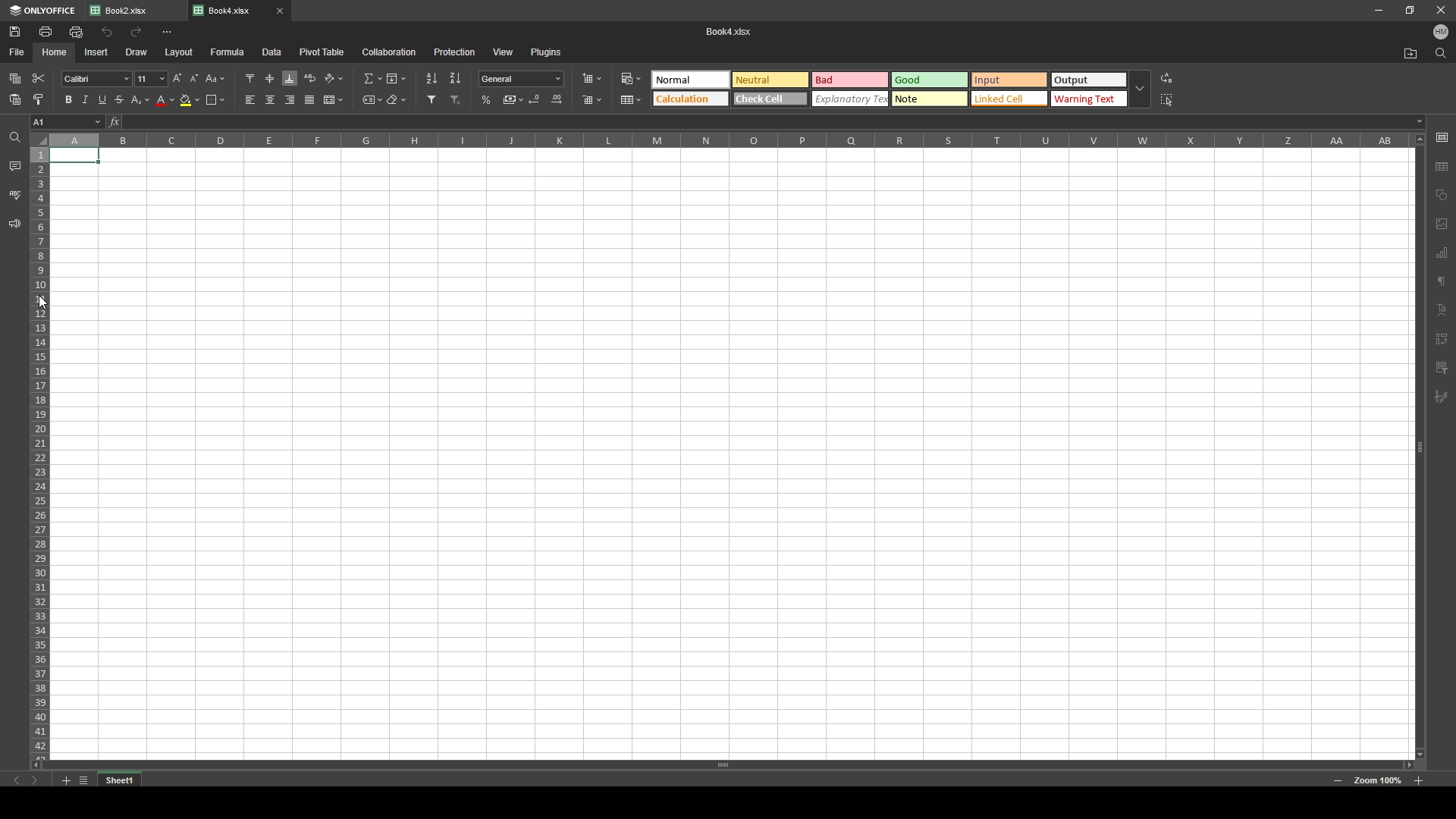 This screenshot has height=819, width=1456. I want to click on summation, so click(372, 78).